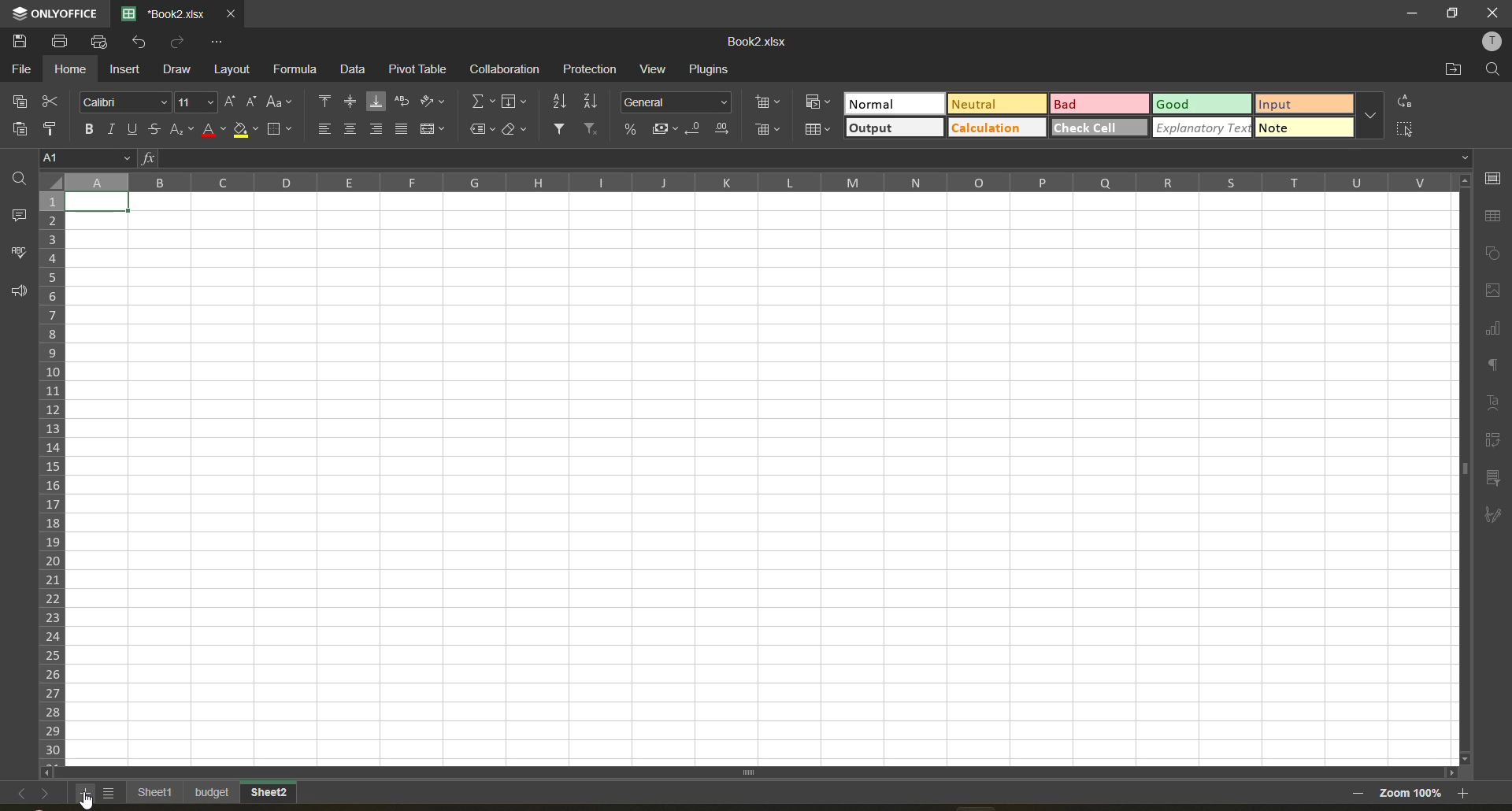 The width and height of the screenshot is (1512, 811). What do you see at coordinates (1451, 13) in the screenshot?
I see `maximize` at bounding box center [1451, 13].